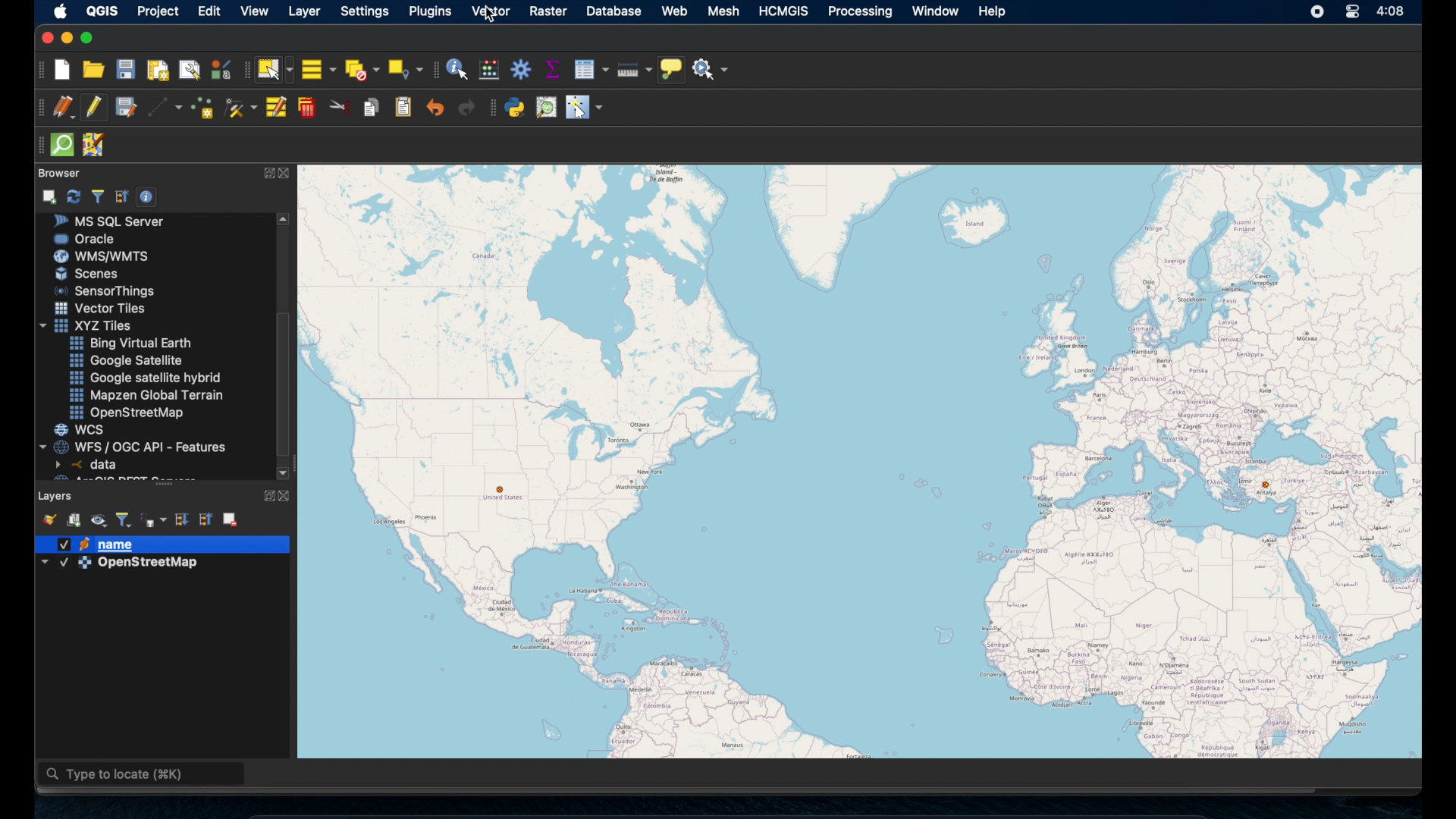 The width and height of the screenshot is (1456, 819). Describe the element at coordinates (307, 108) in the screenshot. I see `delete select ted` at that location.